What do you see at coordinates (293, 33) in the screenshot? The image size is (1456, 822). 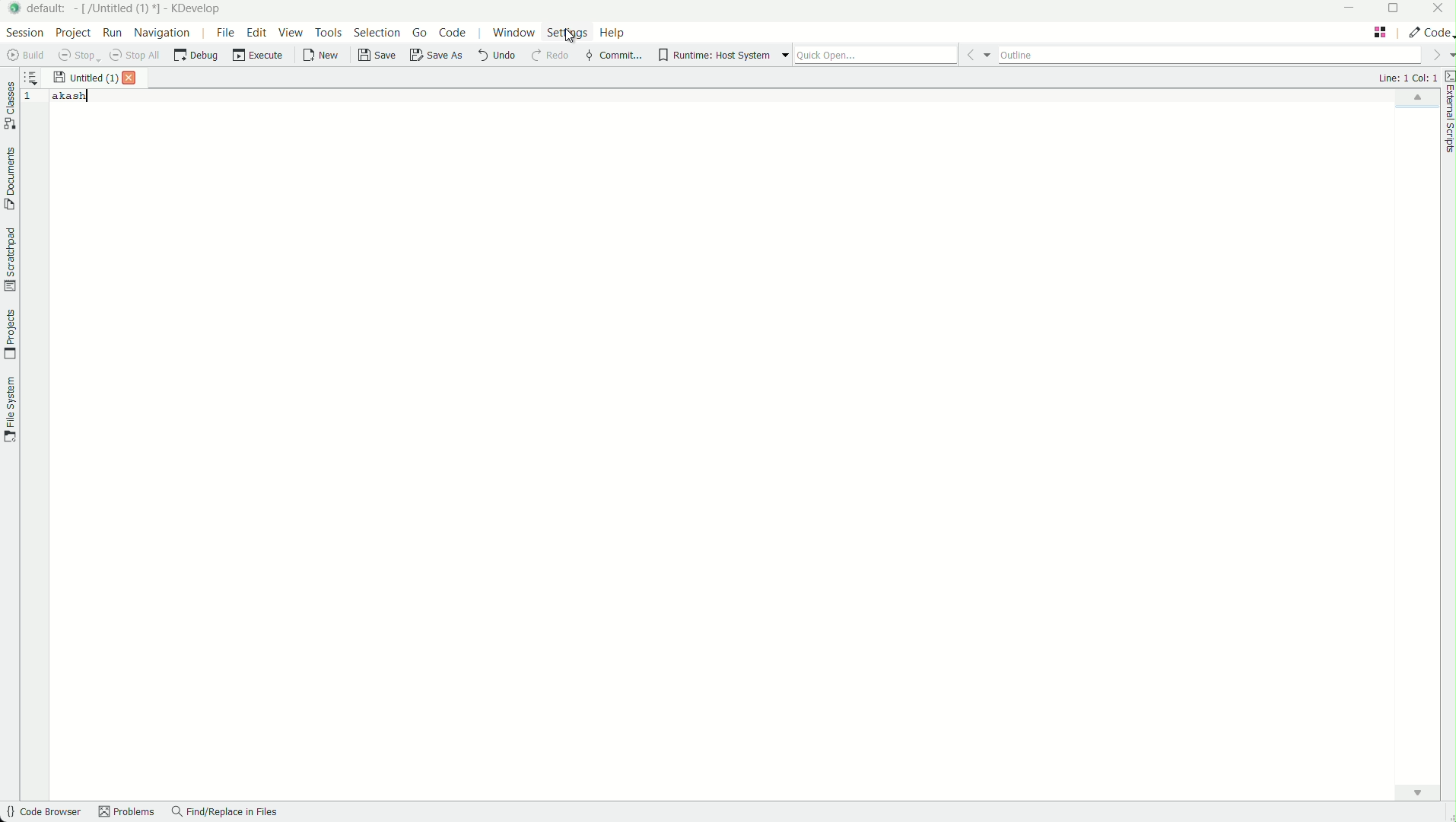 I see `view menu` at bounding box center [293, 33].